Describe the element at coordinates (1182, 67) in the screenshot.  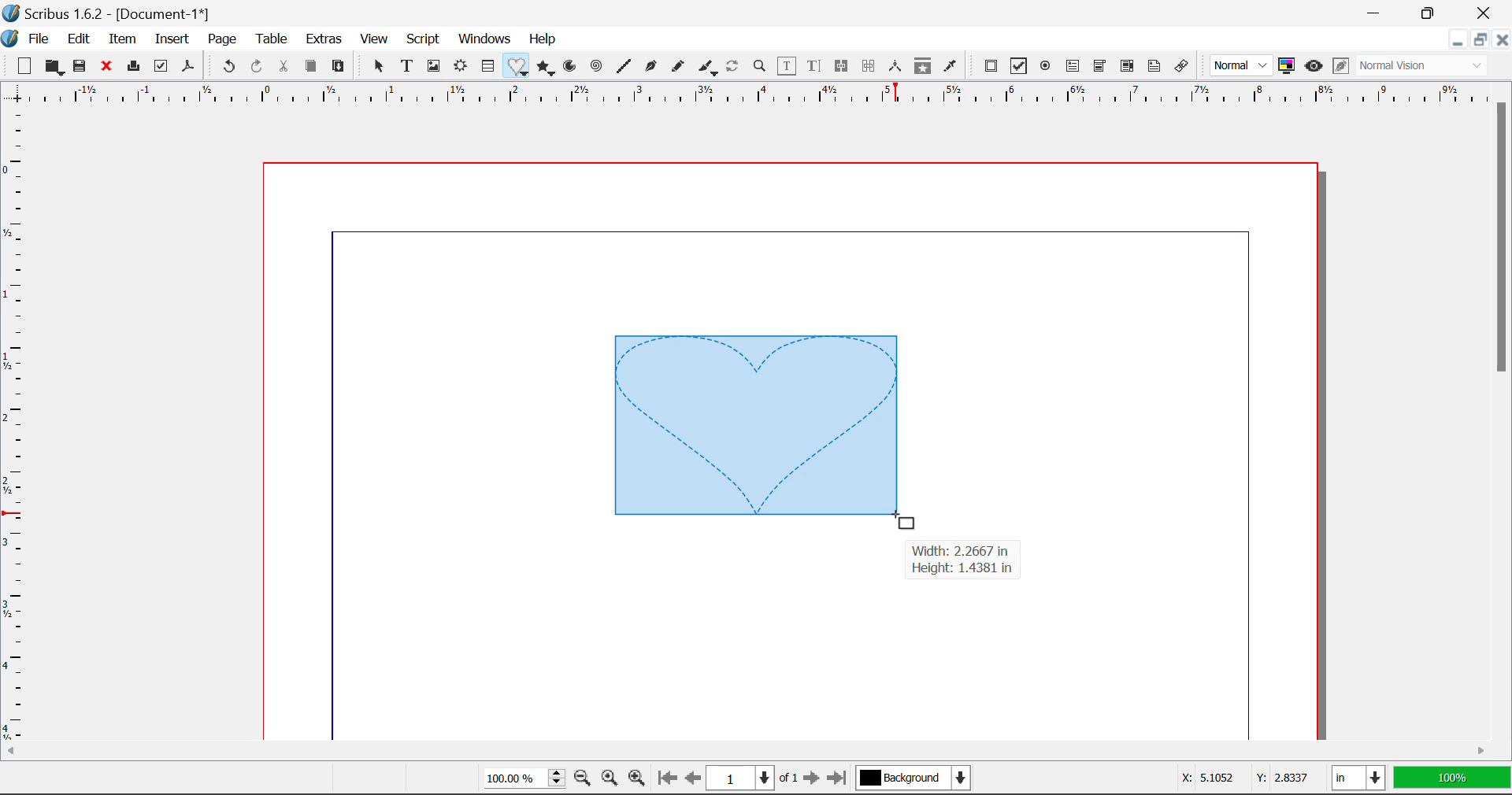
I see `Link Annotation` at that location.